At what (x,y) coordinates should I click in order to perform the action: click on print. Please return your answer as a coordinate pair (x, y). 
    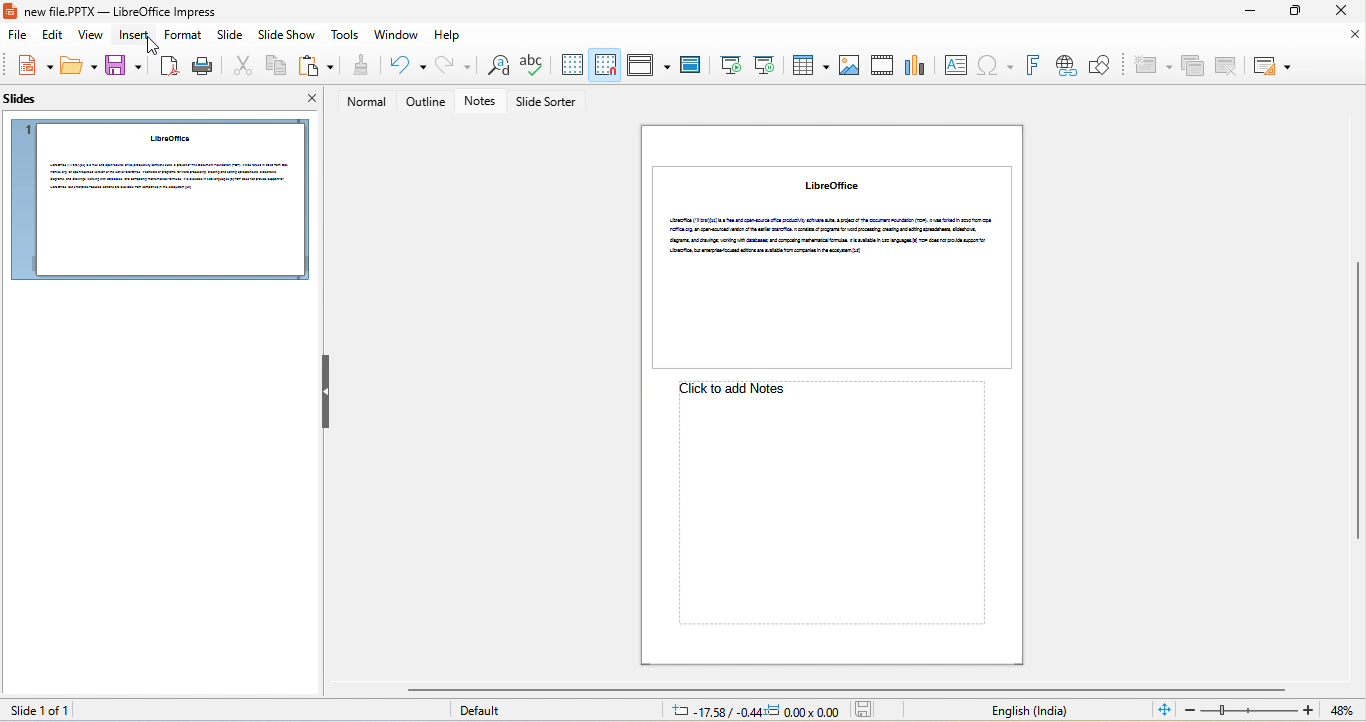
    Looking at the image, I should click on (201, 66).